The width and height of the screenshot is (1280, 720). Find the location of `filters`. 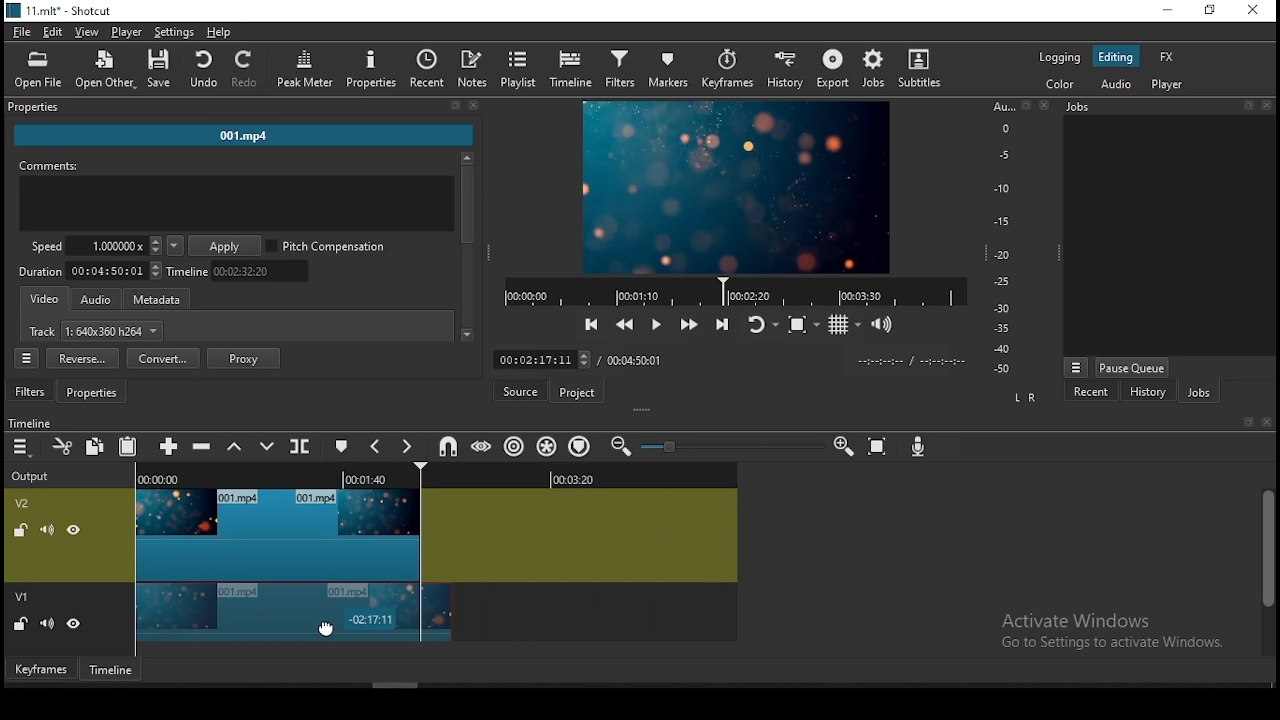

filters is located at coordinates (32, 392).